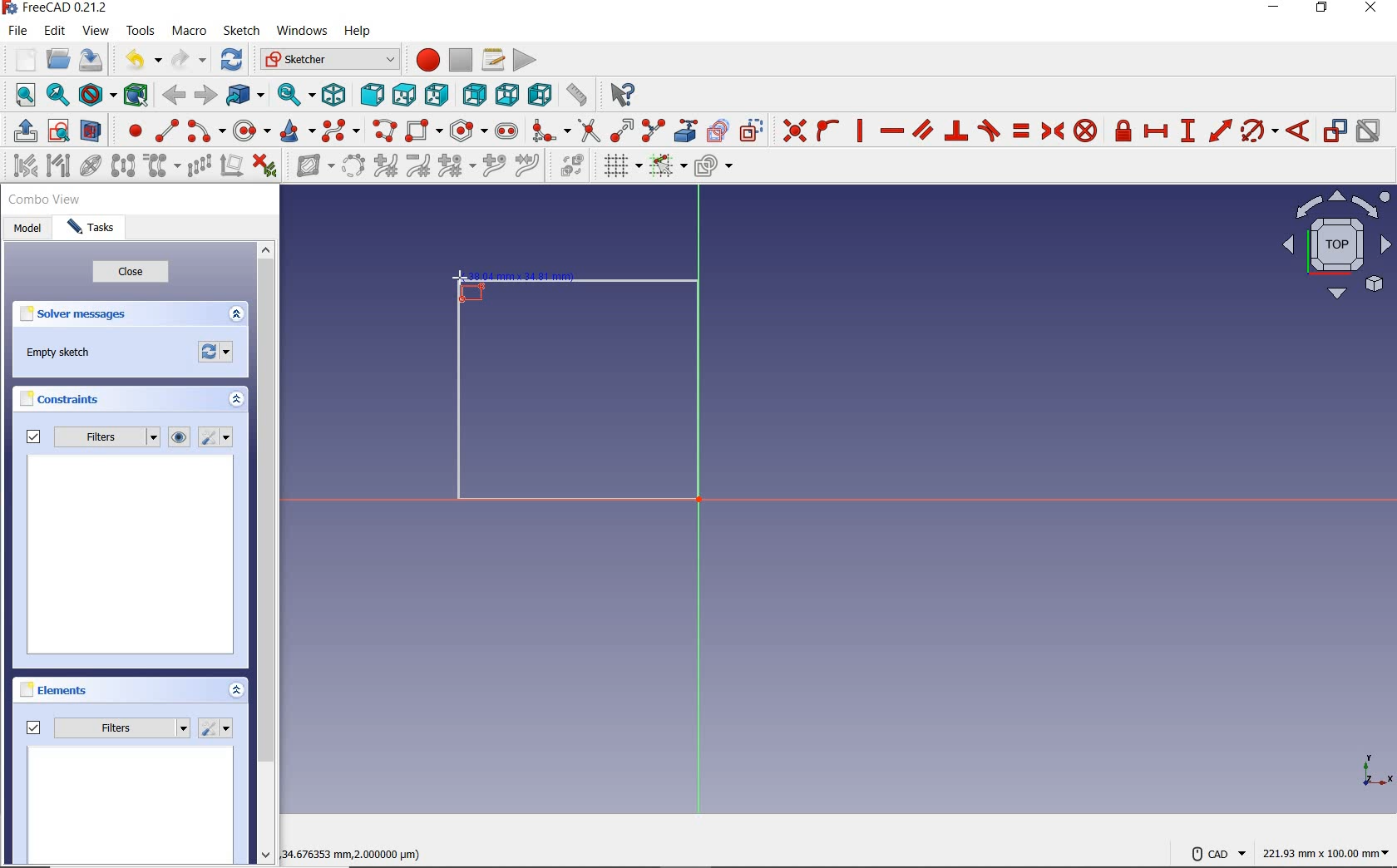 This screenshot has width=1397, height=868. What do you see at coordinates (206, 96) in the screenshot?
I see `forward` at bounding box center [206, 96].